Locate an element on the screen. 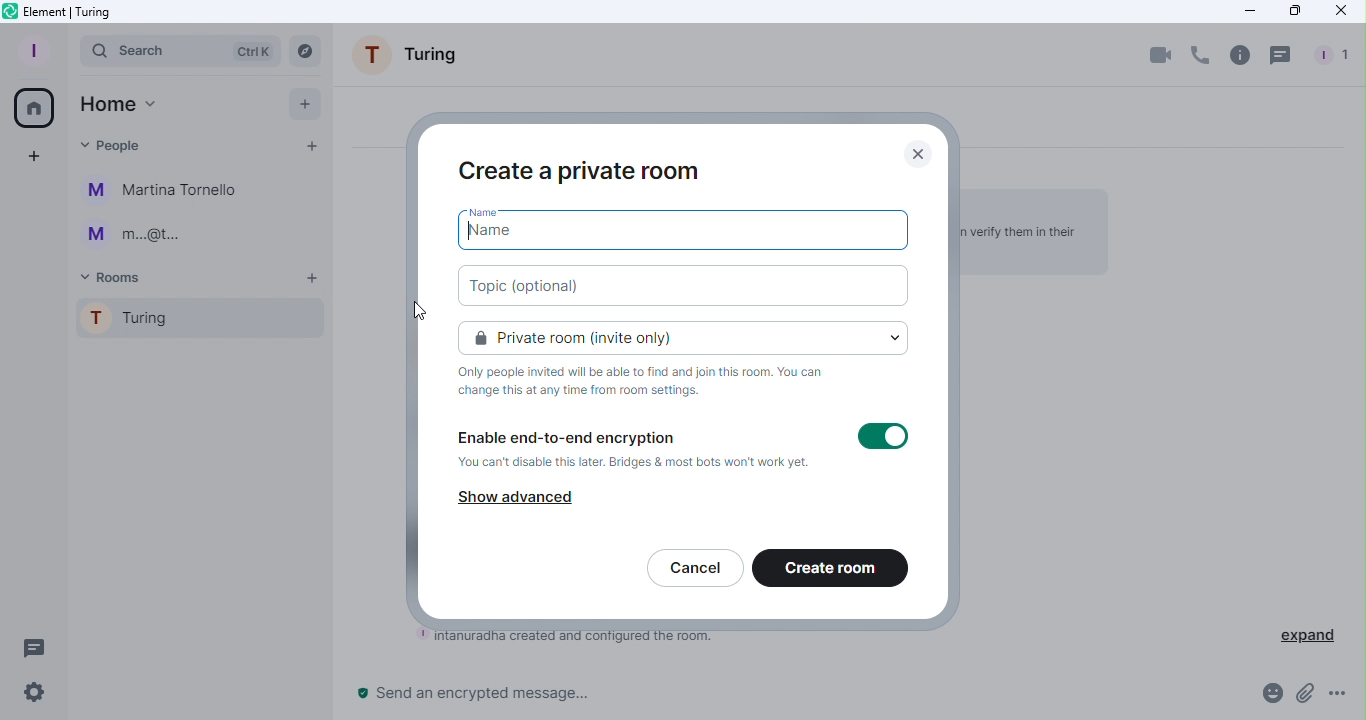 The height and width of the screenshot is (720, 1366). Rooms is located at coordinates (116, 276).